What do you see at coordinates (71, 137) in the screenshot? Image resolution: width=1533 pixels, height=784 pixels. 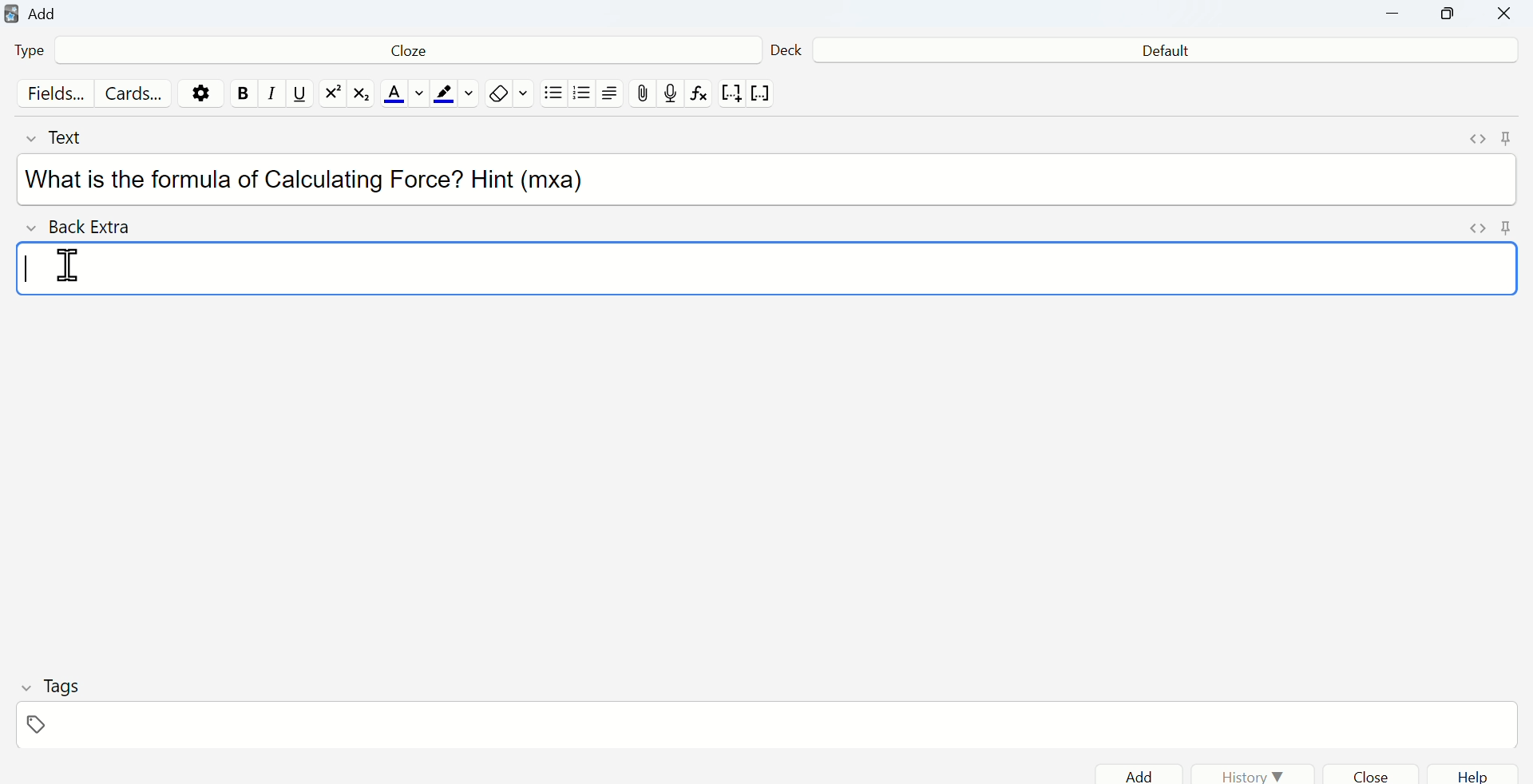 I see `Text` at bounding box center [71, 137].